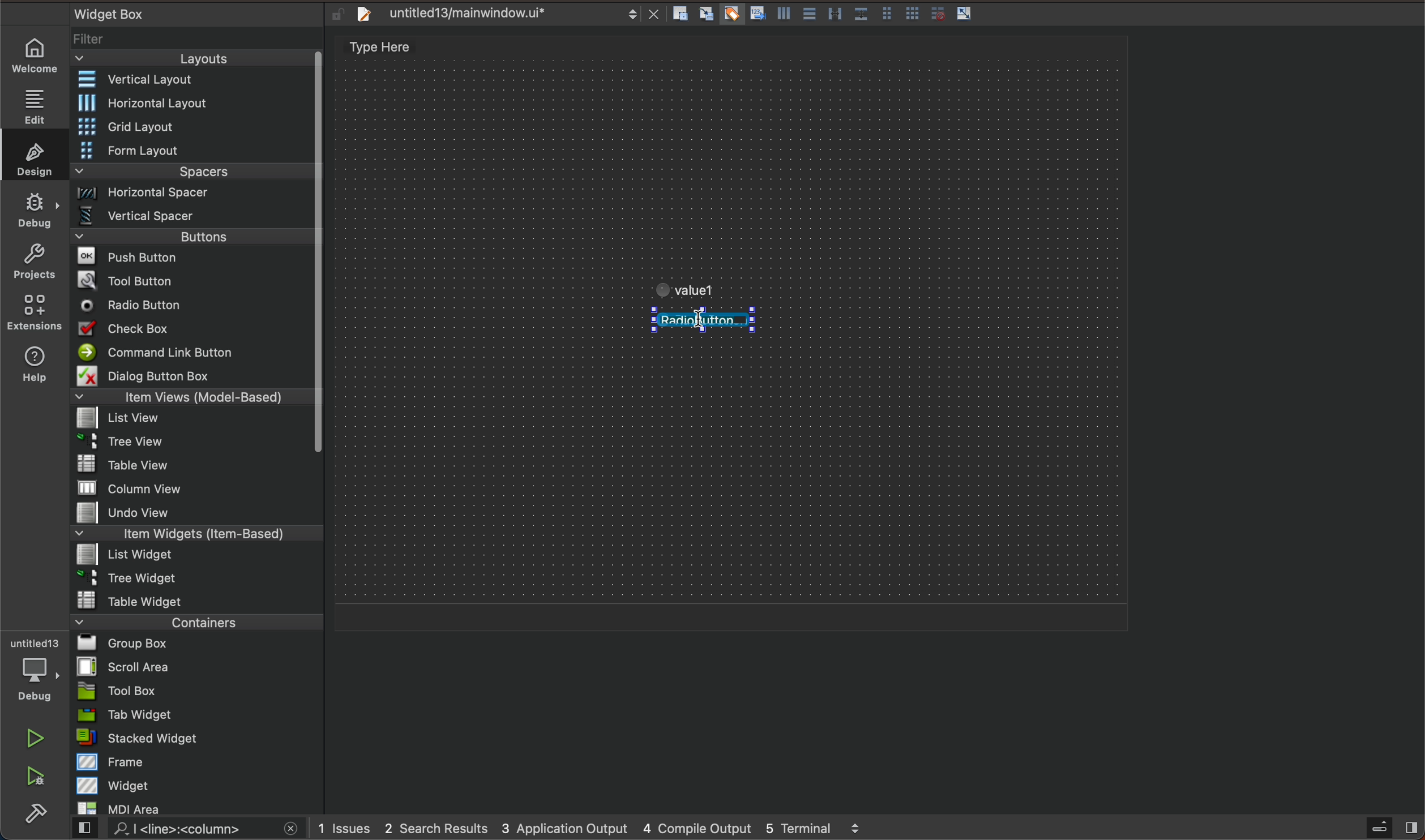  Describe the element at coordinates (190, 445) in the screenshot. I see `` at that location.